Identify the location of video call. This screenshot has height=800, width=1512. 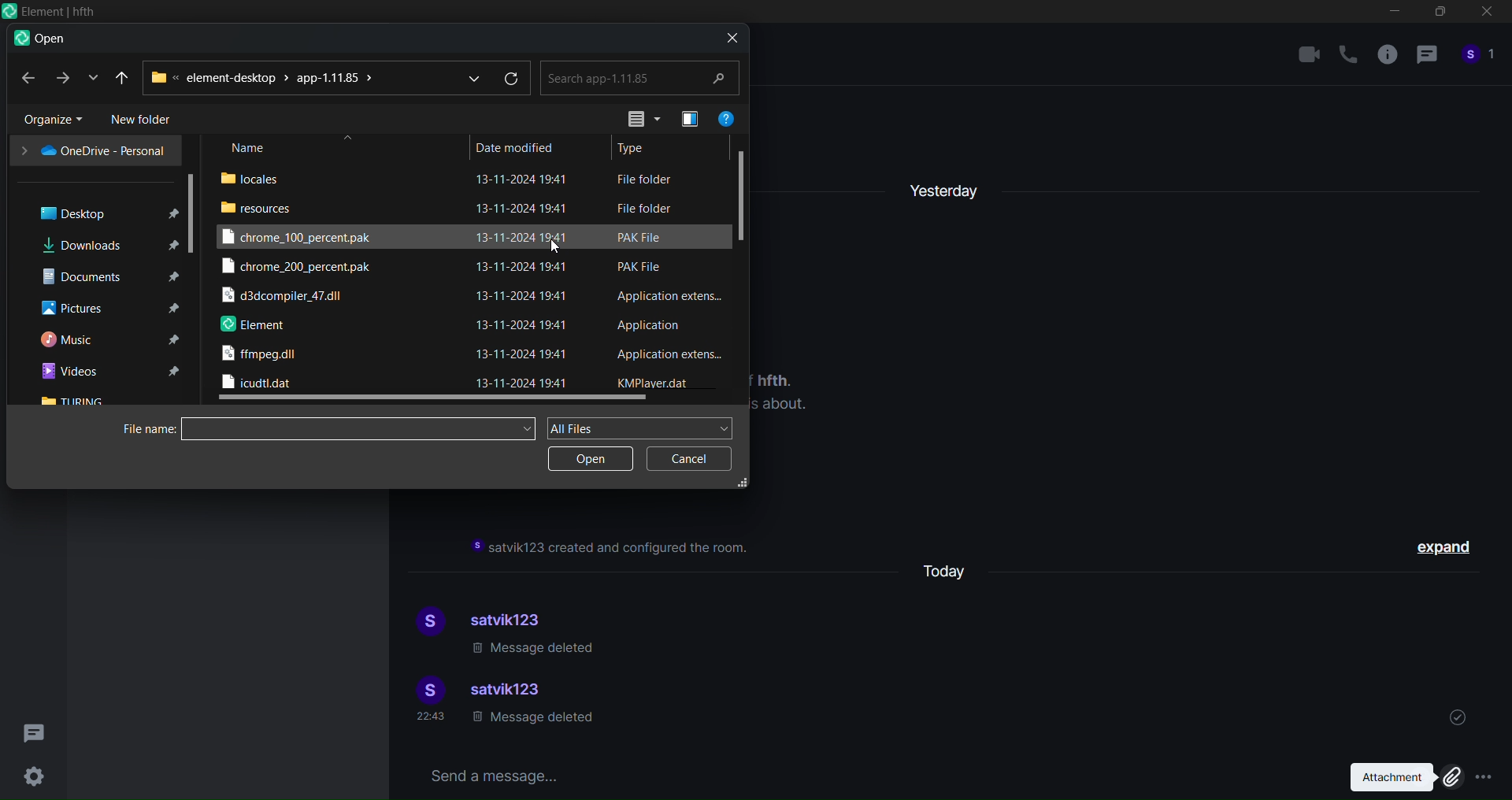
(1309, 54).